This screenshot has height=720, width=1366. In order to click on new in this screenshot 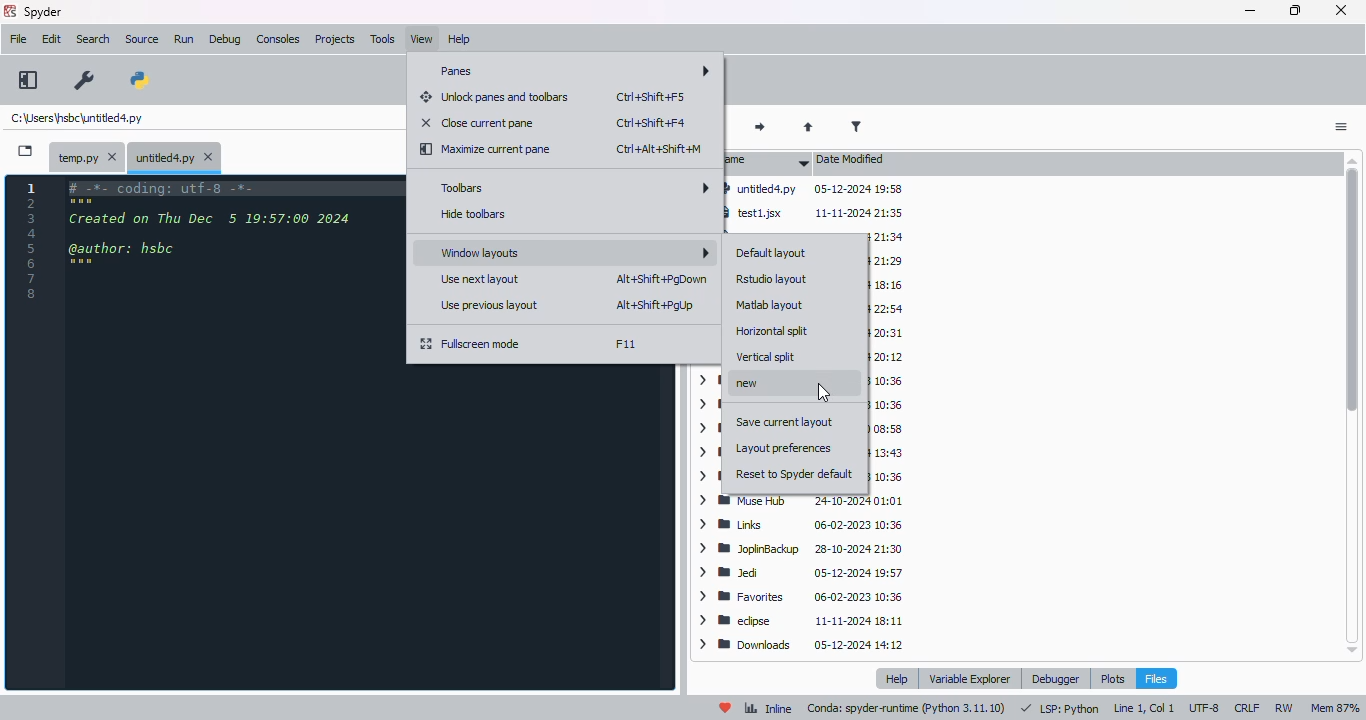, I will do `click(760, 383)`.